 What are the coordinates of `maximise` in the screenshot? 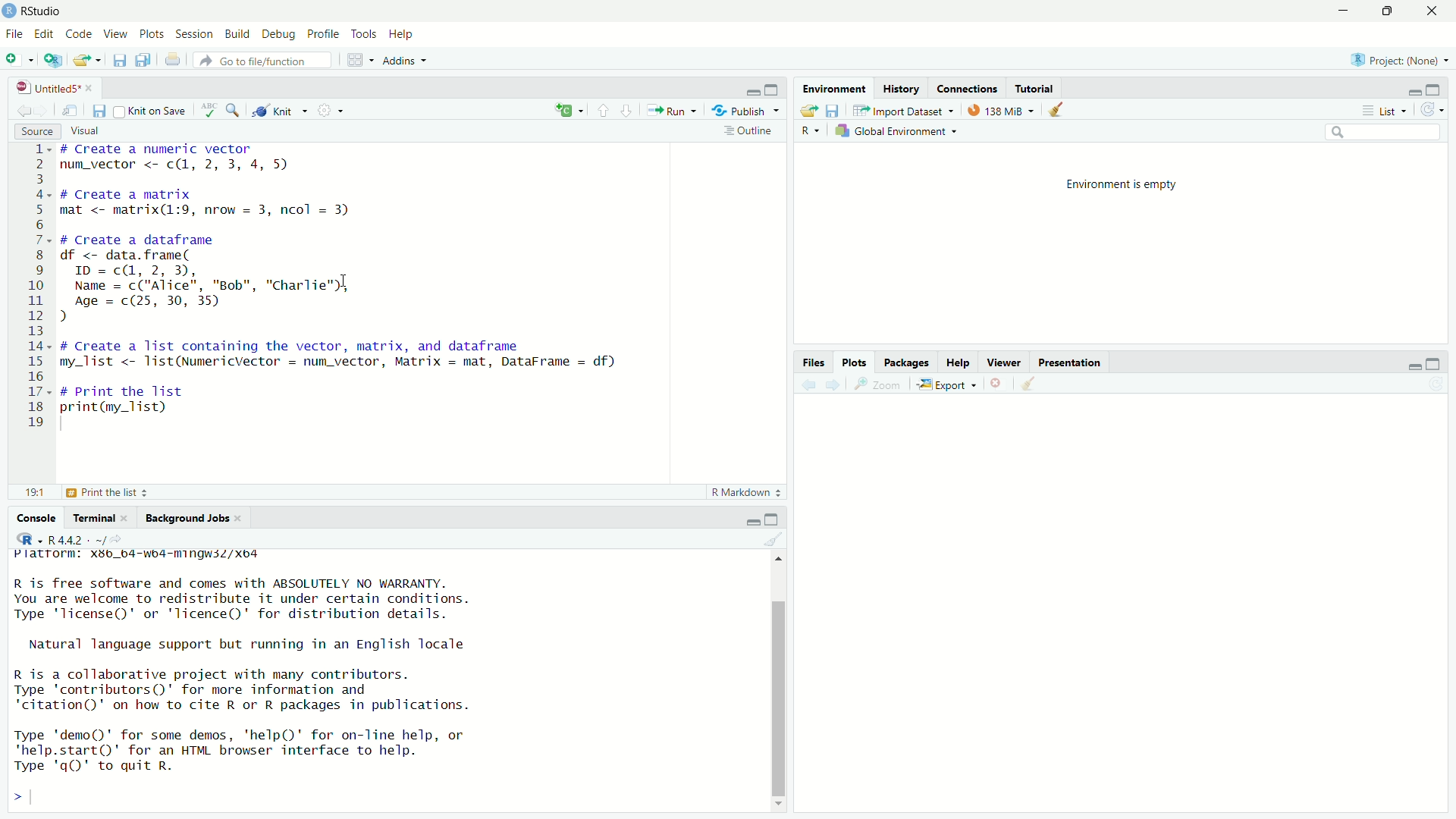 It's located at (777, 517).